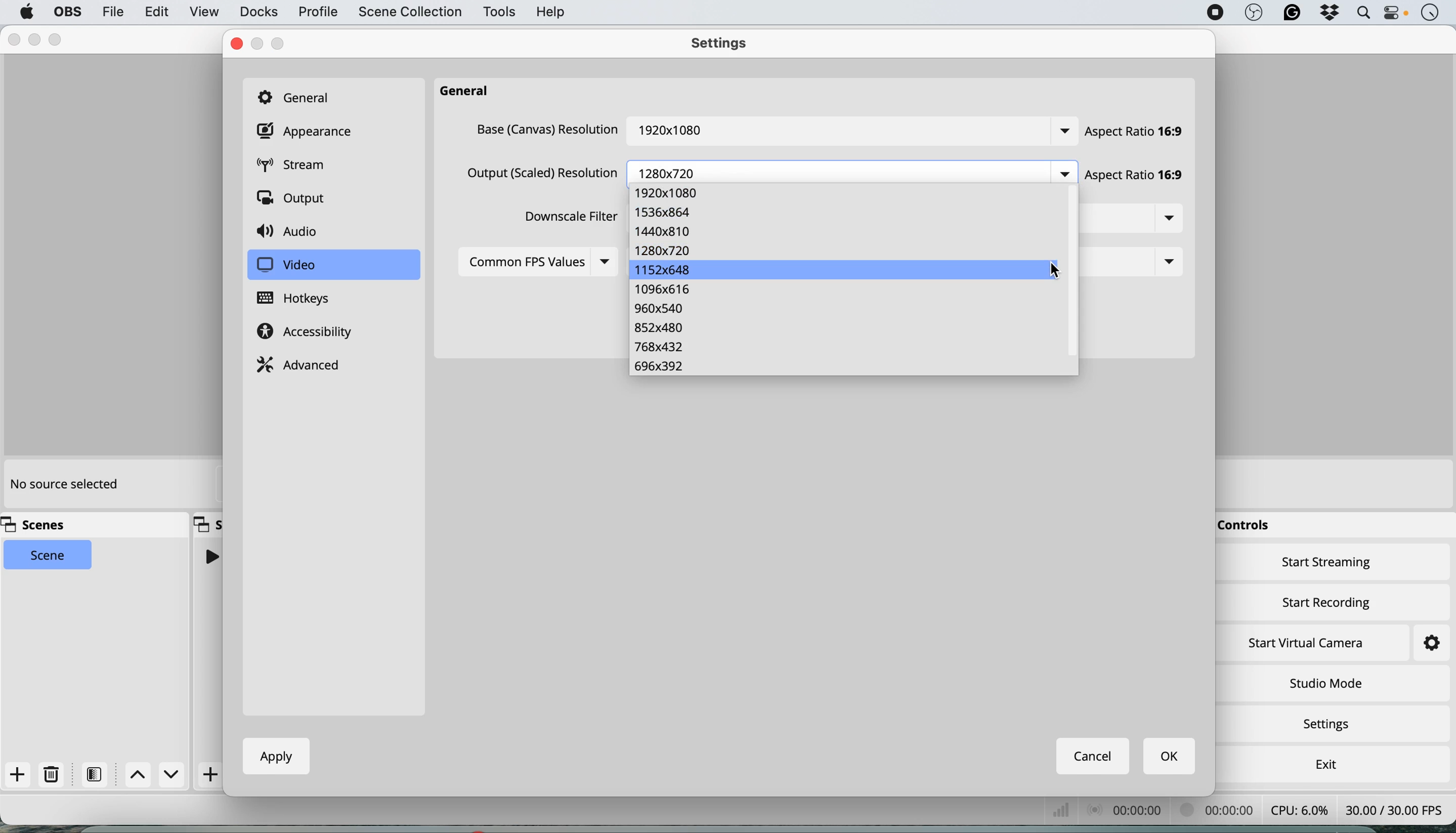 The image size is (1456, 833). What do you see at coordinates (725, 45) in the screenshot?
I see `settings` at bounding box center [725, 45].